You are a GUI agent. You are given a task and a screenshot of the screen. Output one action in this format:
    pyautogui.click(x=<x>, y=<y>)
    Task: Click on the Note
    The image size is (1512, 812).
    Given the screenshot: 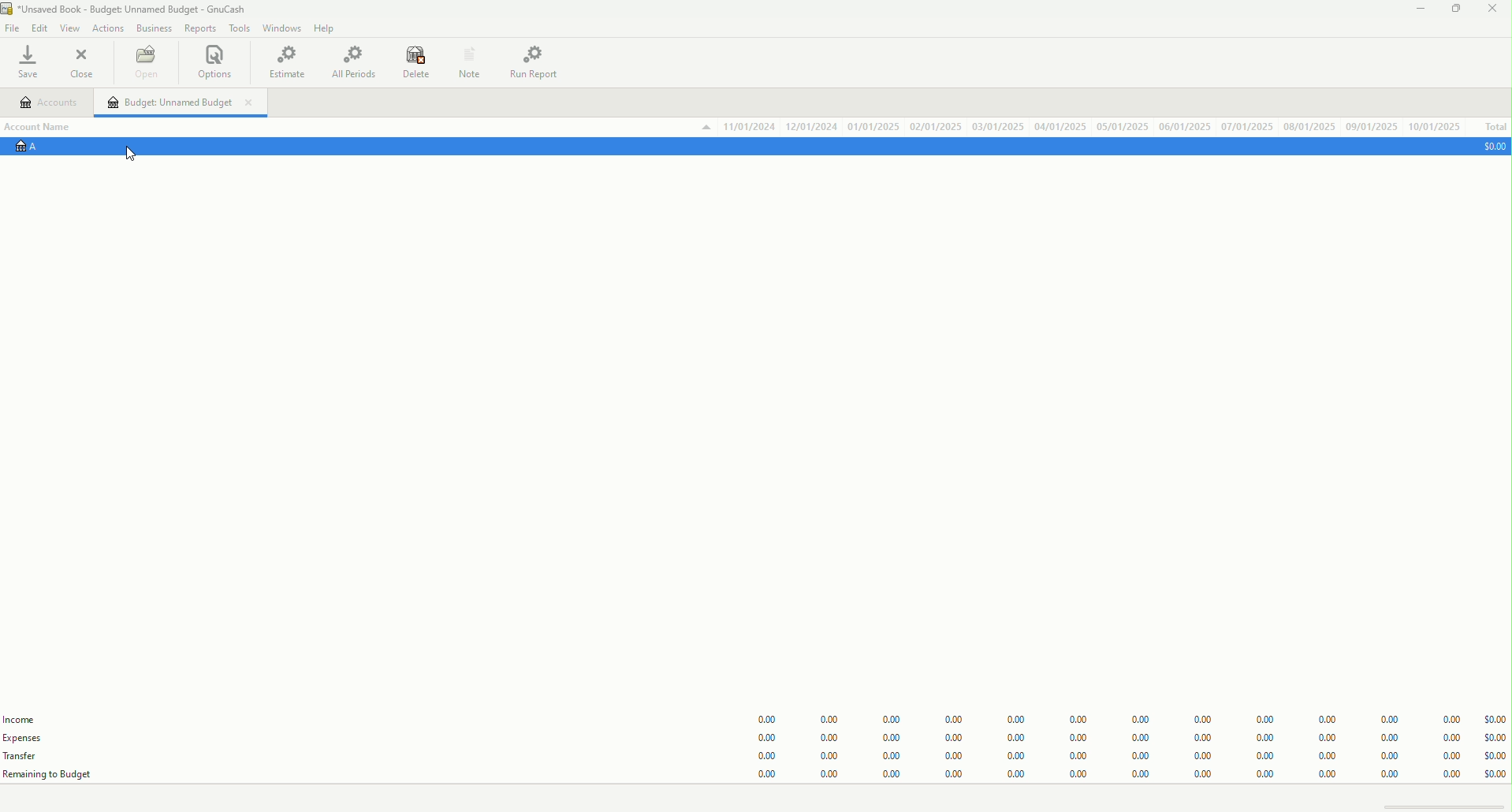 What is the action you would take?
    pyautogui.click(x=469, y=61)
    